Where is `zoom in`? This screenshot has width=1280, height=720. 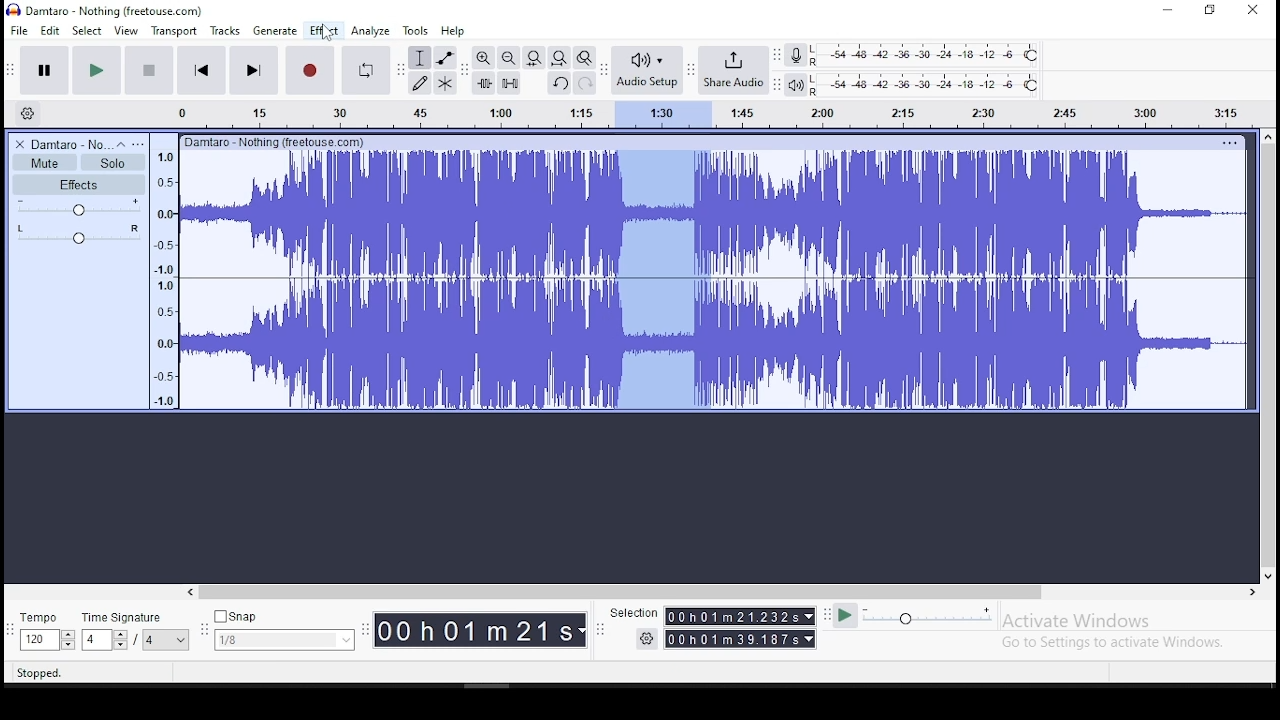
zoom in is located at coordinates (484, 57).